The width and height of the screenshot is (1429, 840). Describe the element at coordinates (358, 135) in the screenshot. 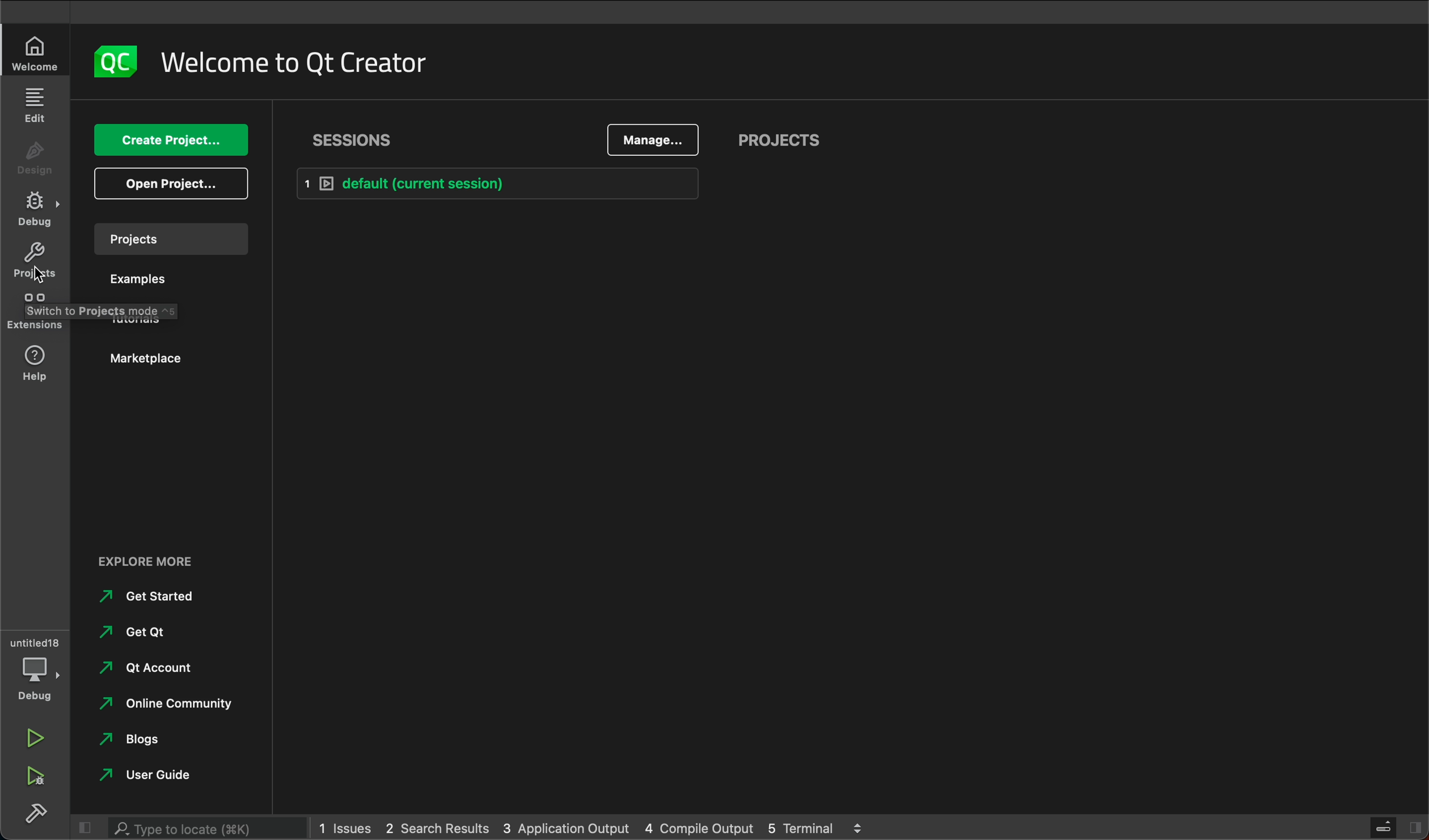

I see `sessions` at that location.